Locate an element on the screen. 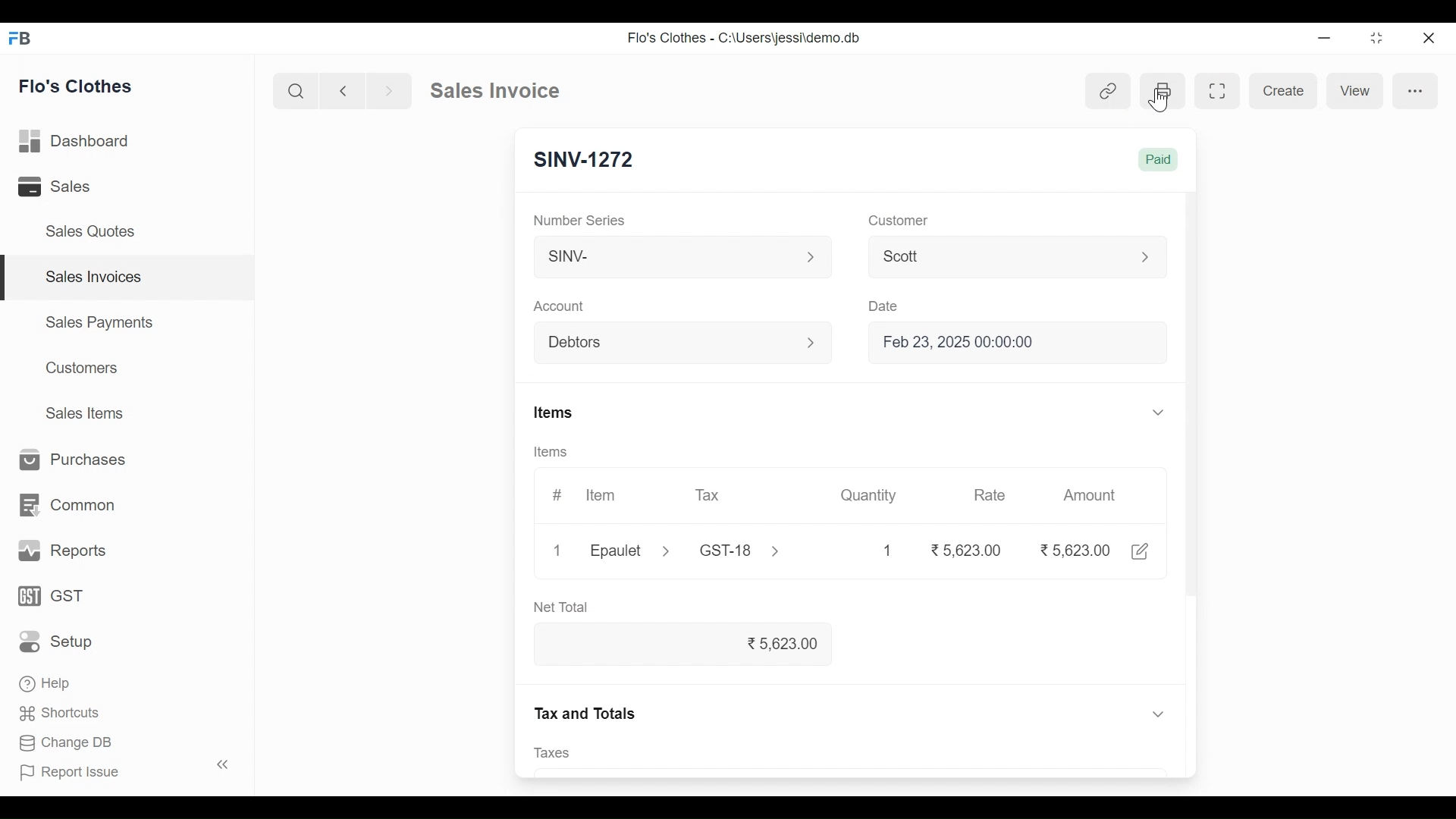 Image resolution: width=1456 pixels, height=819 pixels. Purchases is located at coordinates (74, 462).